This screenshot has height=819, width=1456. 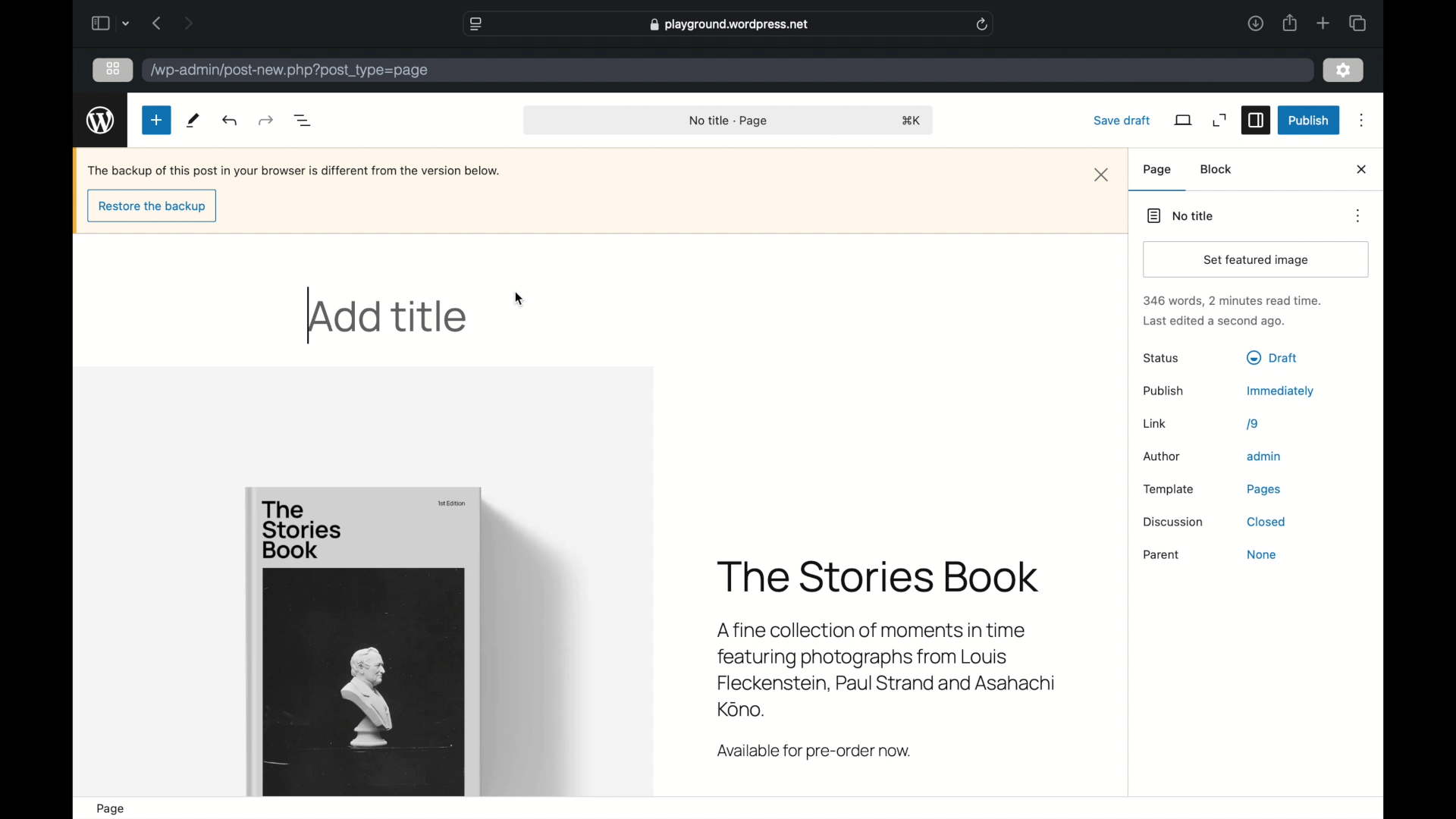 I want to click on grid view, so click(x=113, y=69).